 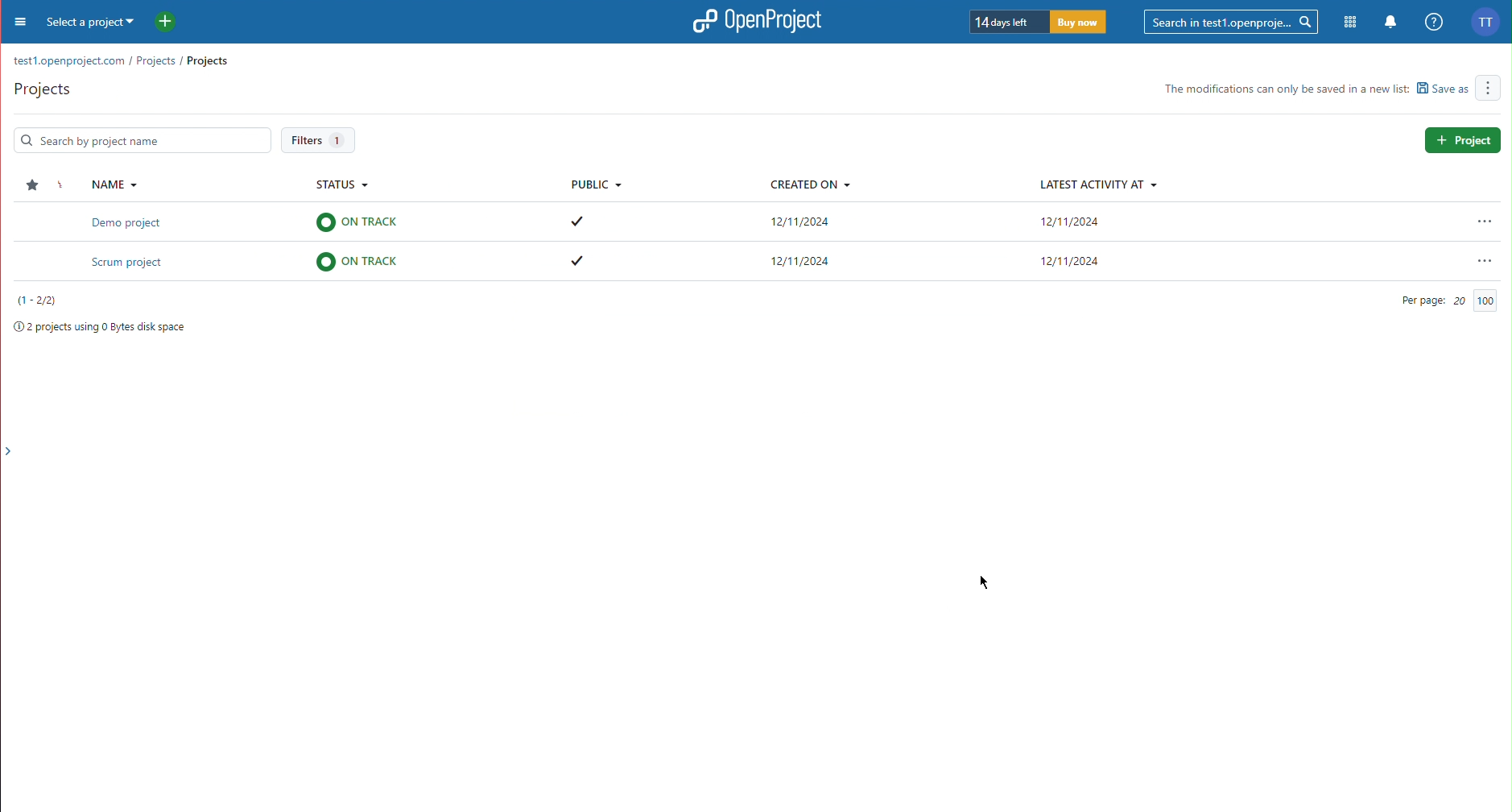 What do you see at coordinates (1489, 23) in the screenshot?
I see `Account` at bounding box center [1489, 23].